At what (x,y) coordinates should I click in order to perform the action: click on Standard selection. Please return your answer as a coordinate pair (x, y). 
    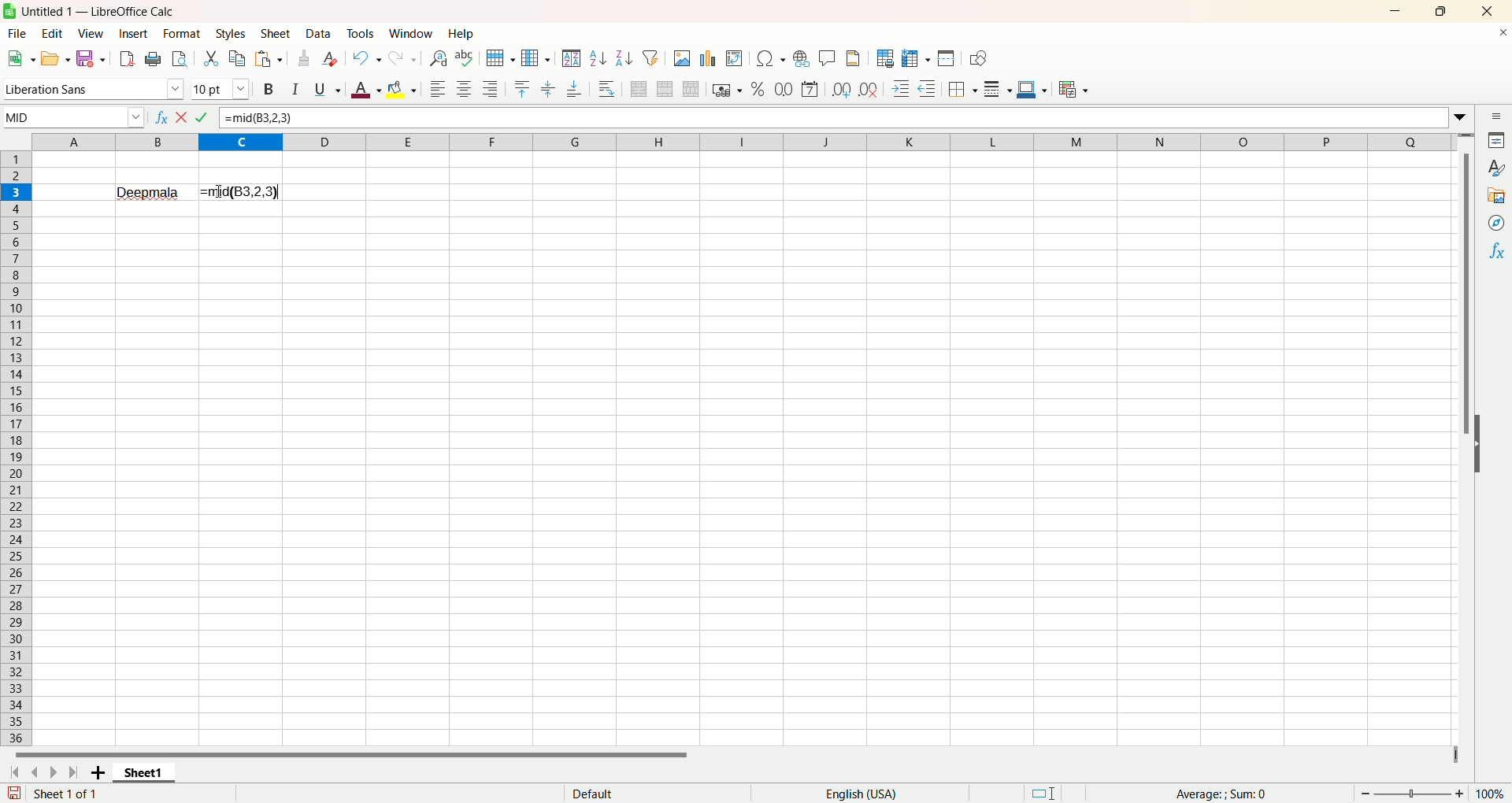
    Looking at the image, I should click on (1043, 793).